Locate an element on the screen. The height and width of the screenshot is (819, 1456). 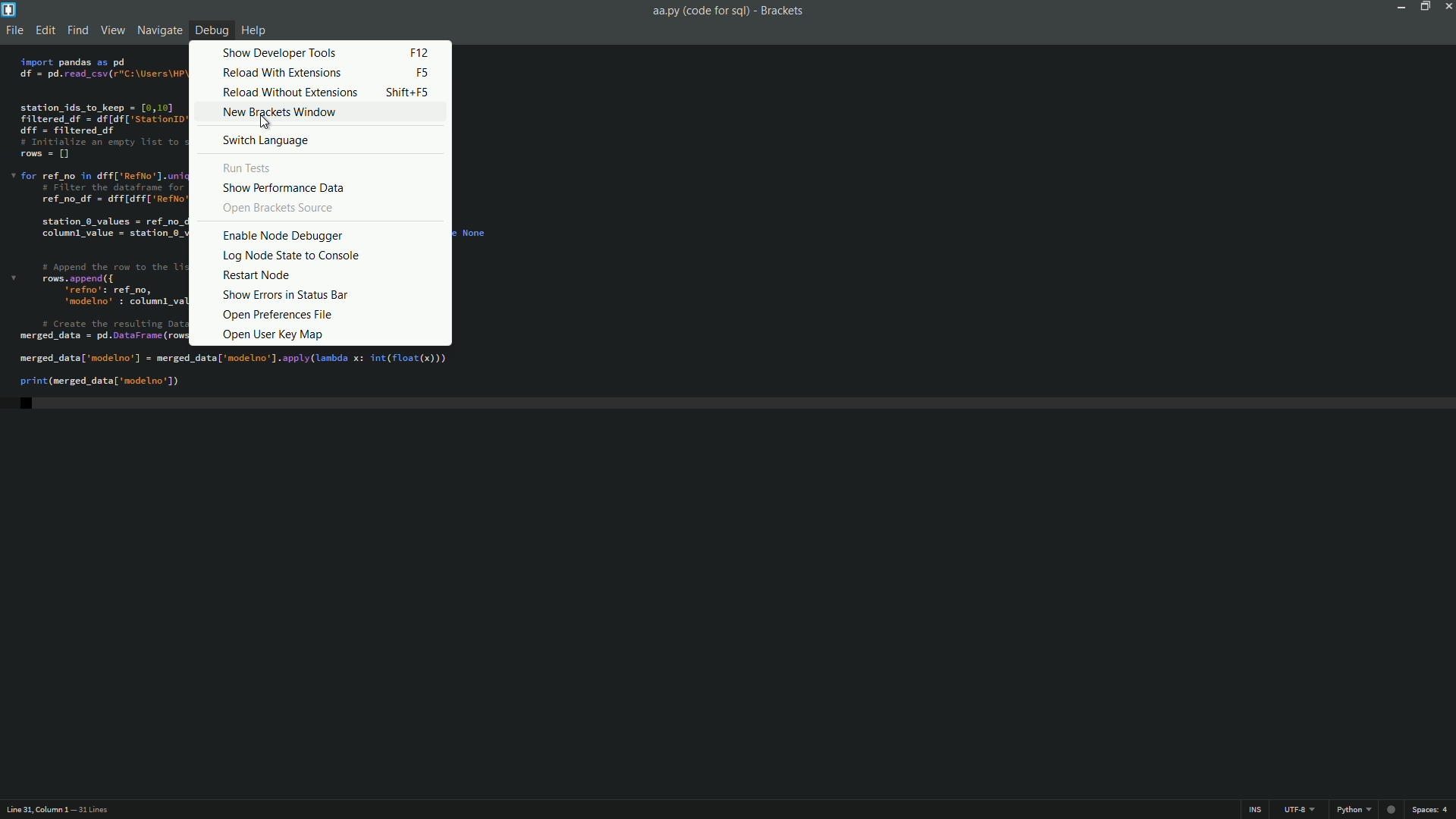
Restart node is located at coordinates (258, 275).